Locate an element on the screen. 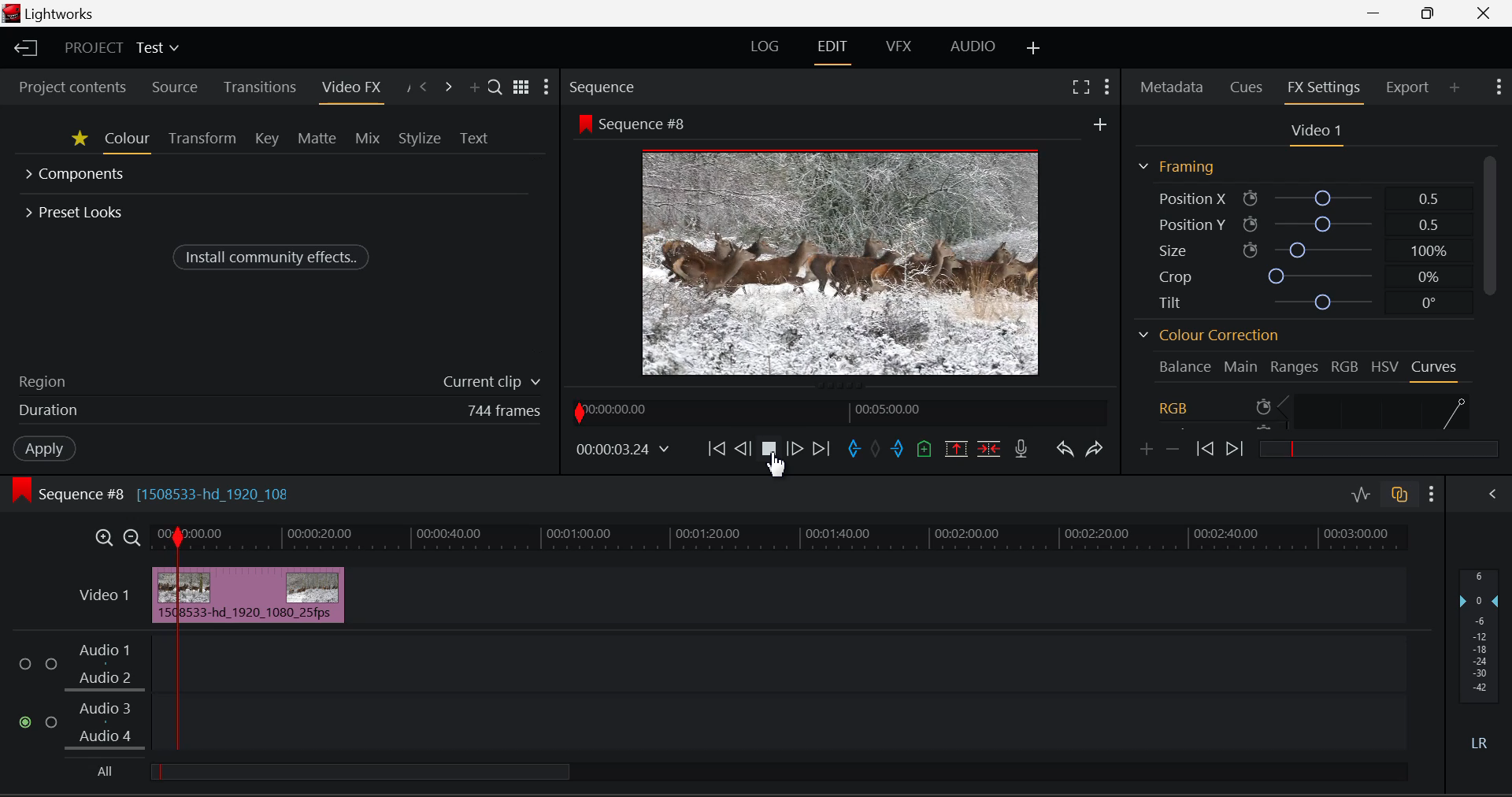  Preset Looks is located at coordinates (76, 210).